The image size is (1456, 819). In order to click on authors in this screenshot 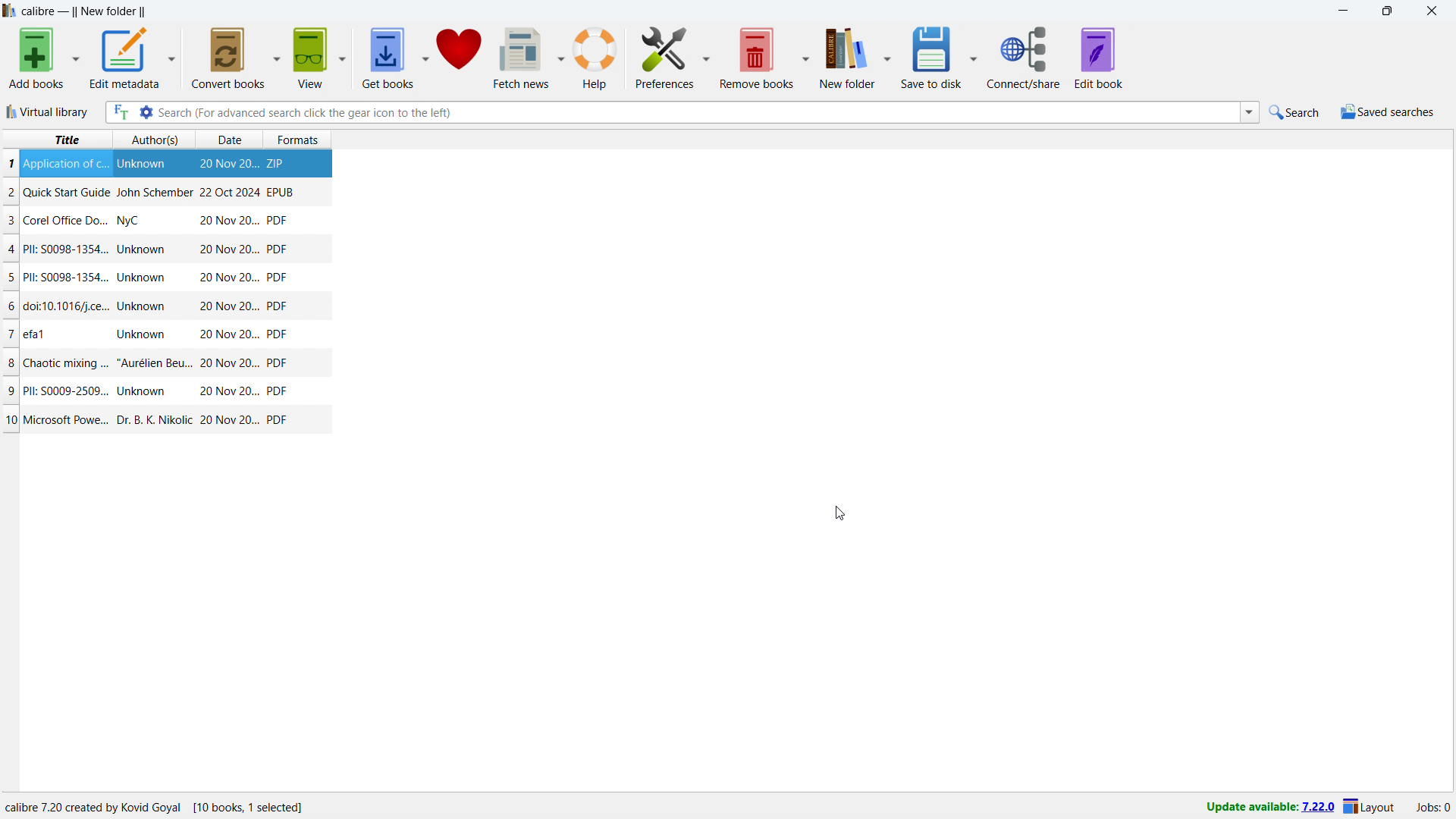, I will do `click(155, 140)`.